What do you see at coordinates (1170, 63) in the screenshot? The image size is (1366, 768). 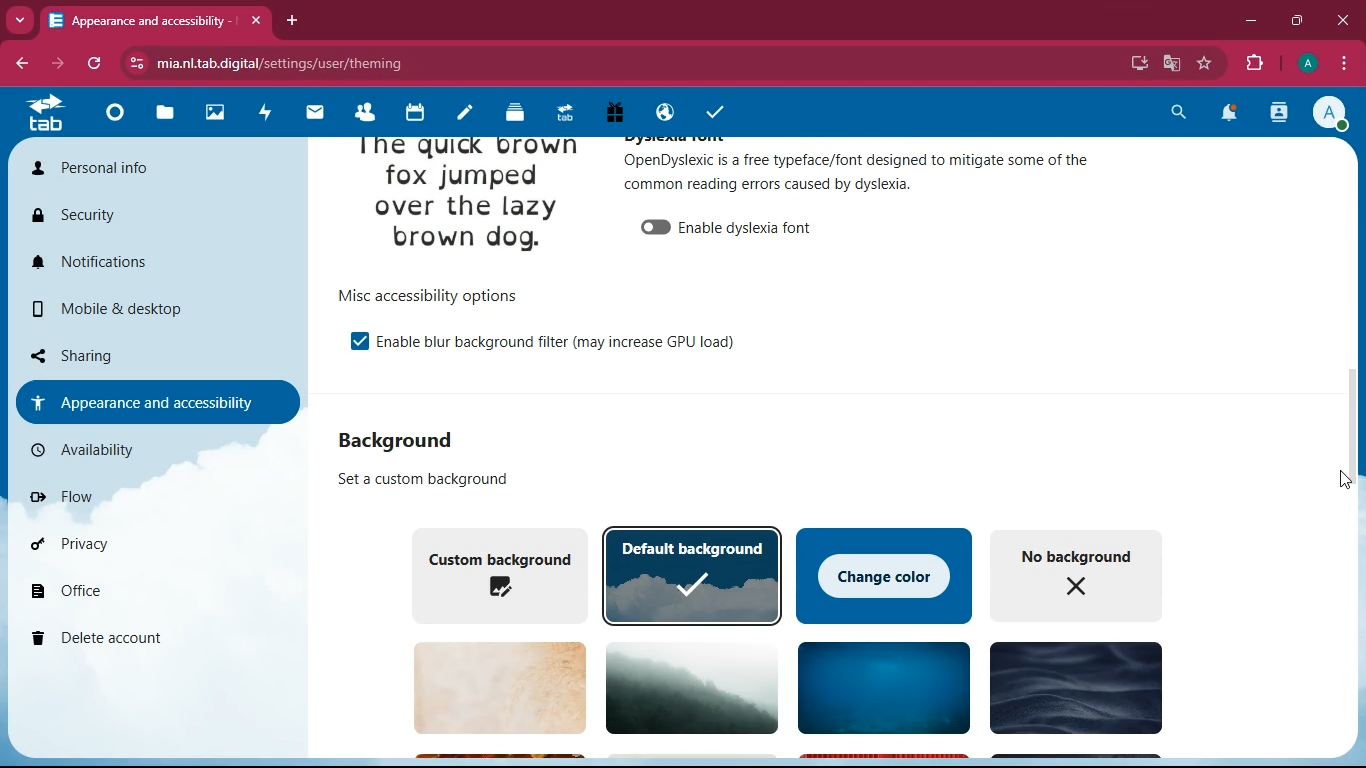 I see `google translate` at bounding box center [1170, 63].